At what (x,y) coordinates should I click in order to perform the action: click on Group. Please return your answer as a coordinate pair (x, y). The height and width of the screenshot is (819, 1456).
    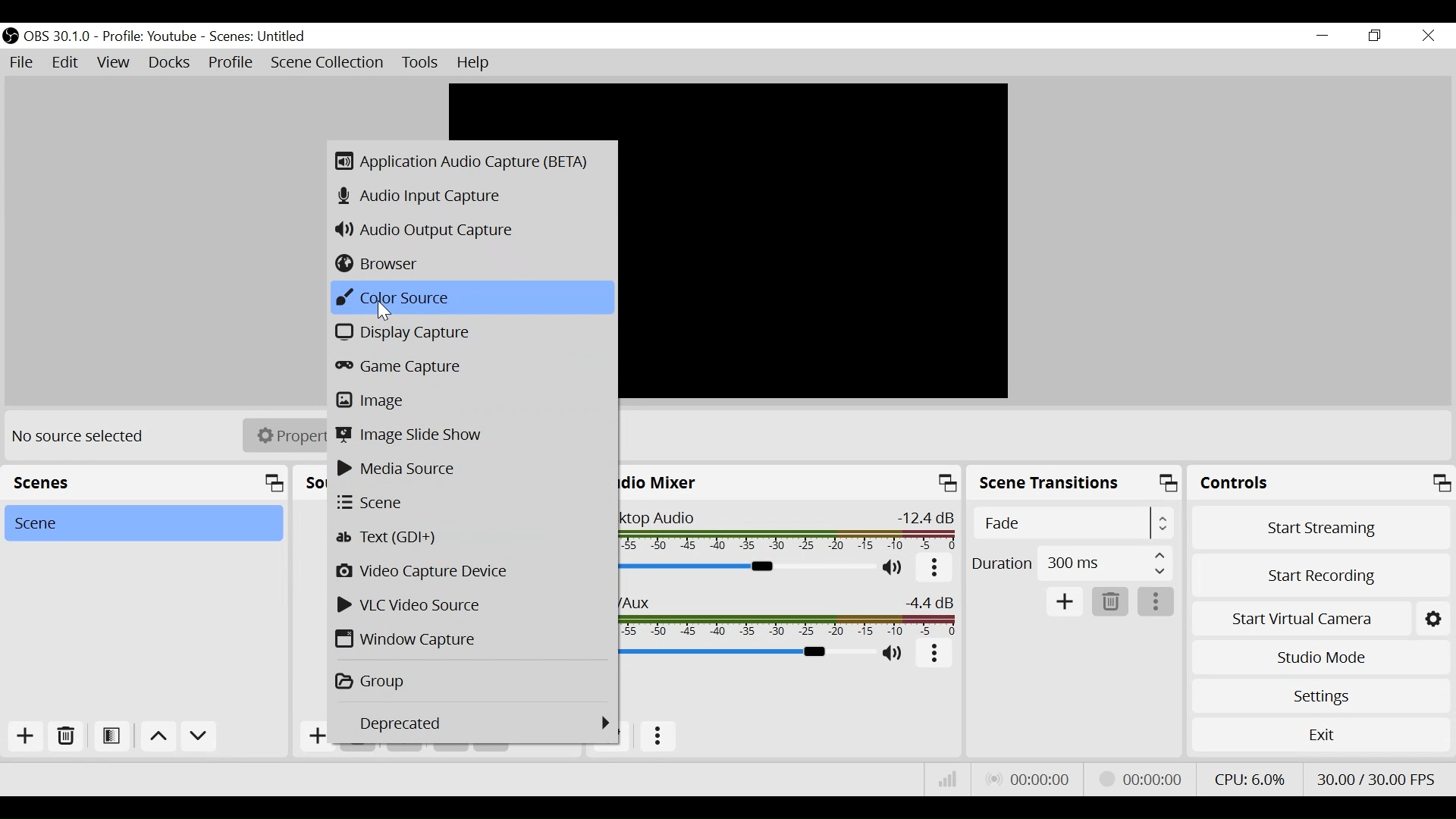
    Looking at the image, I should click on (468, 678).